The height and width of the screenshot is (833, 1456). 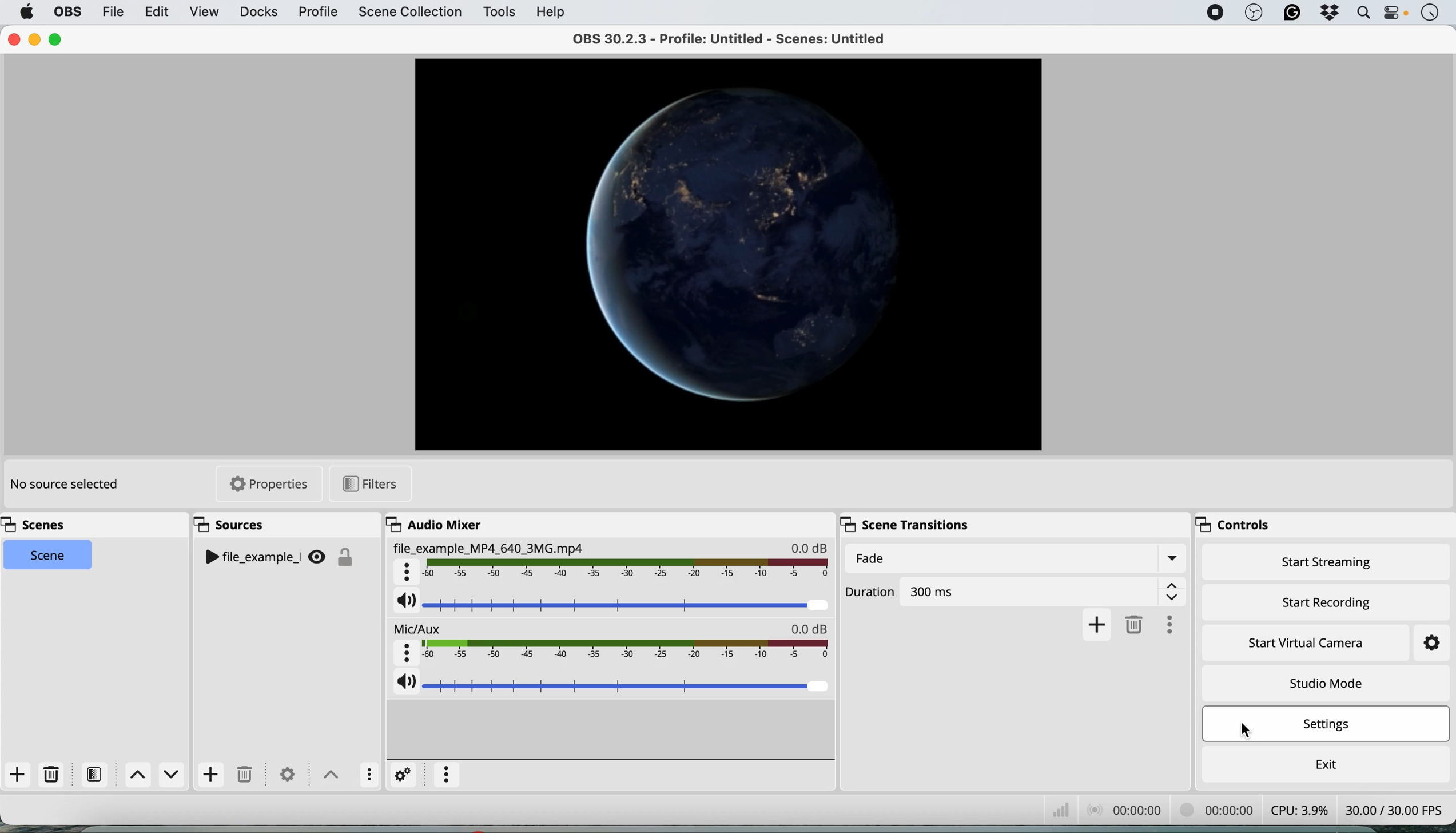 What do you see at coordinates (158, 13) in the screenshot?
I see `edit` at bounding box center [158, 13].